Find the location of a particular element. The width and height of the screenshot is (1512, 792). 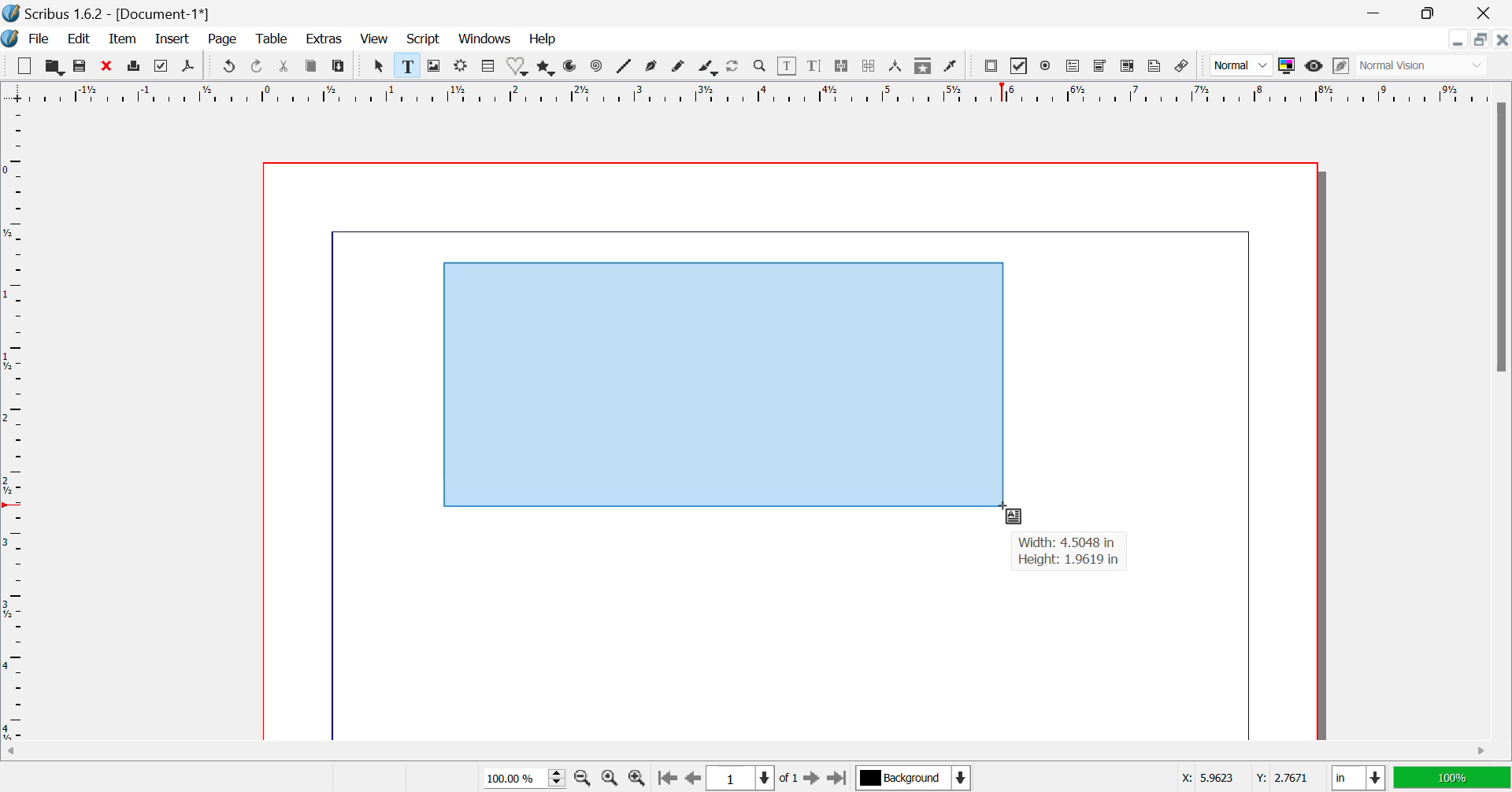

View is located at coordinates (375, 40).